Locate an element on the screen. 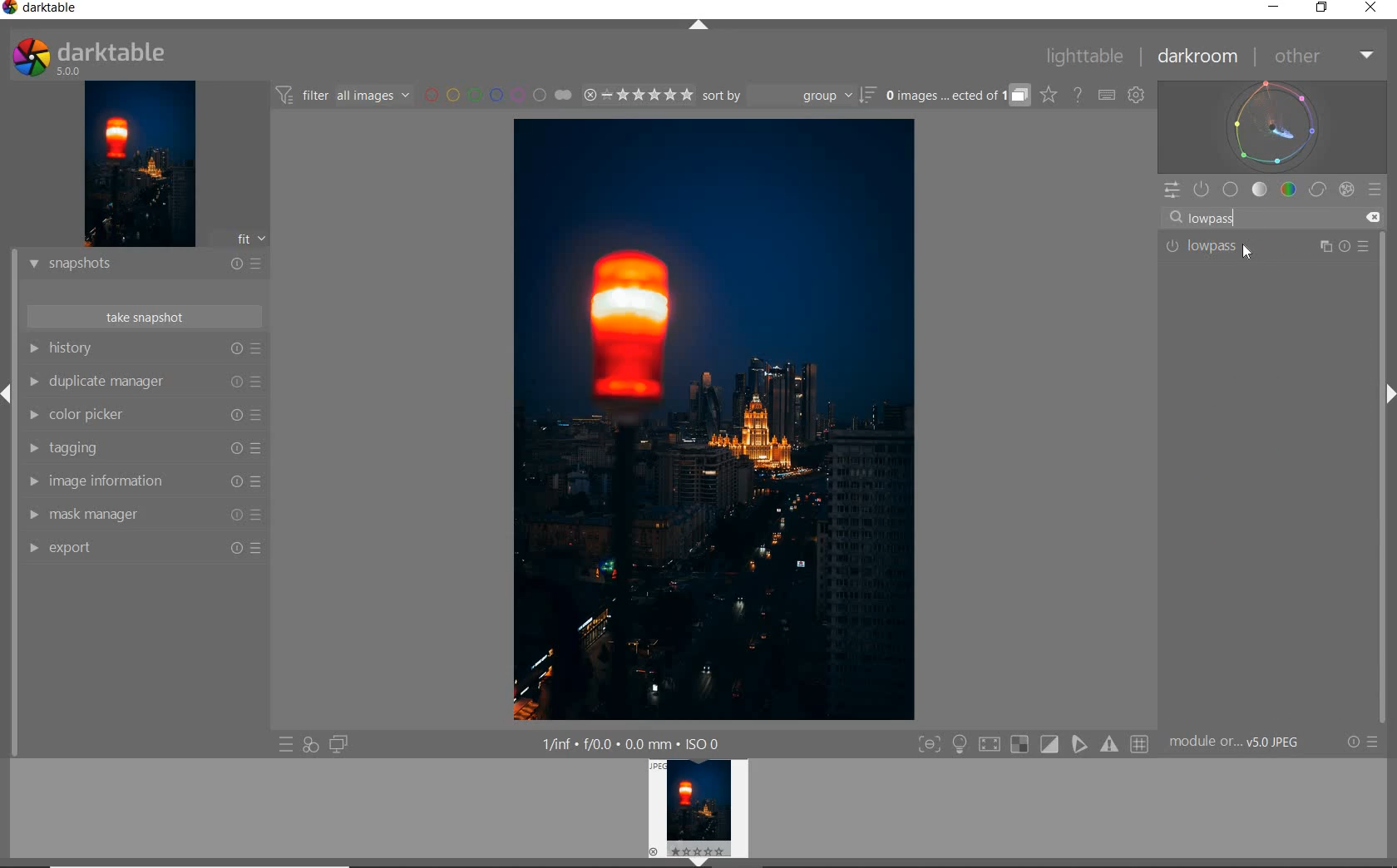  Resets is located at coordinates (235, 260).